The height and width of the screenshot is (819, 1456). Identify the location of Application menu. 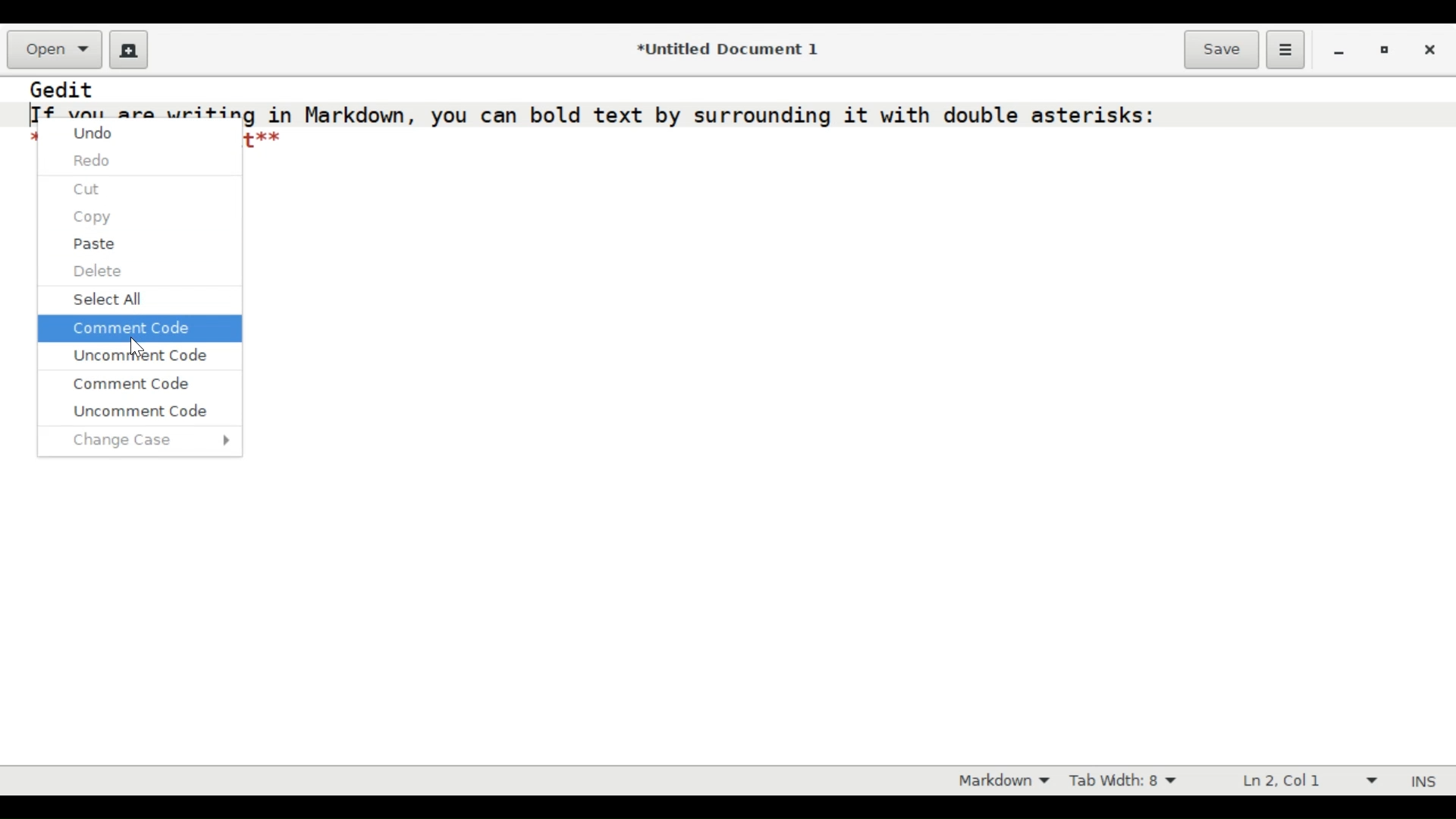
(1285, 49).